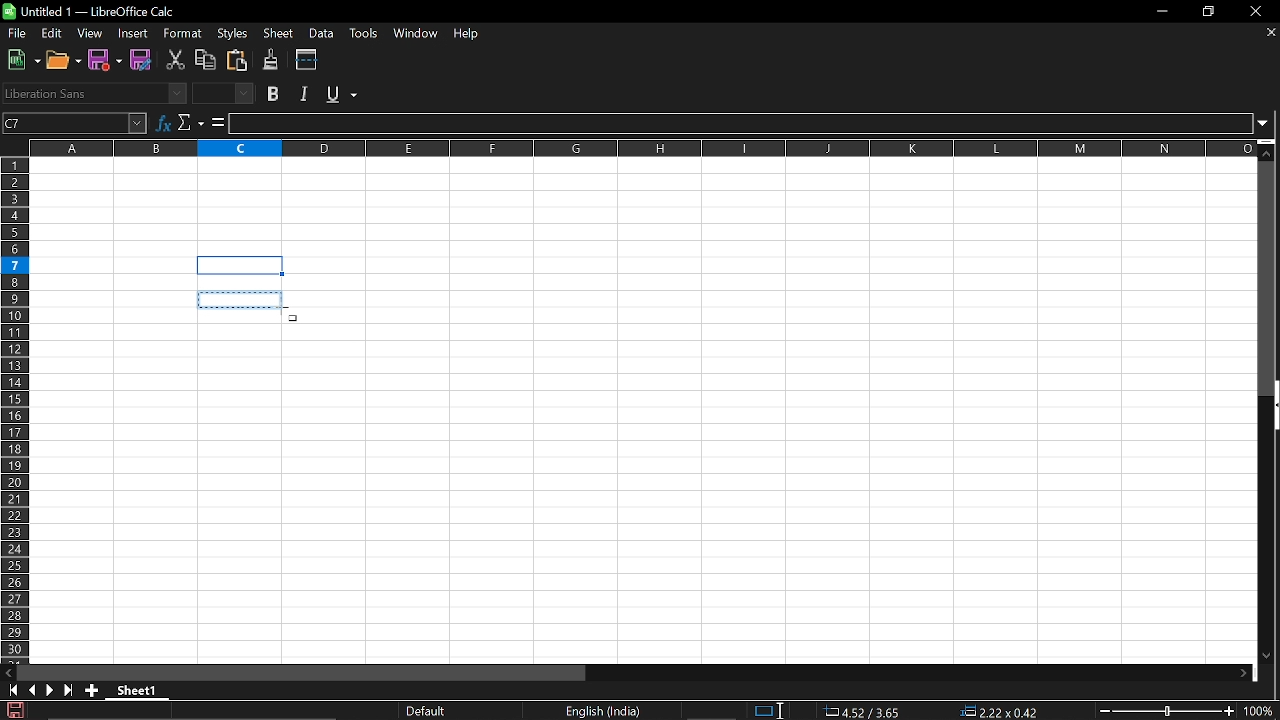 The image size is (1280, 720). What do you see at coordinates (94, 93) in the screenshot?
I see `Font name ` at bounding box center [94, 93].